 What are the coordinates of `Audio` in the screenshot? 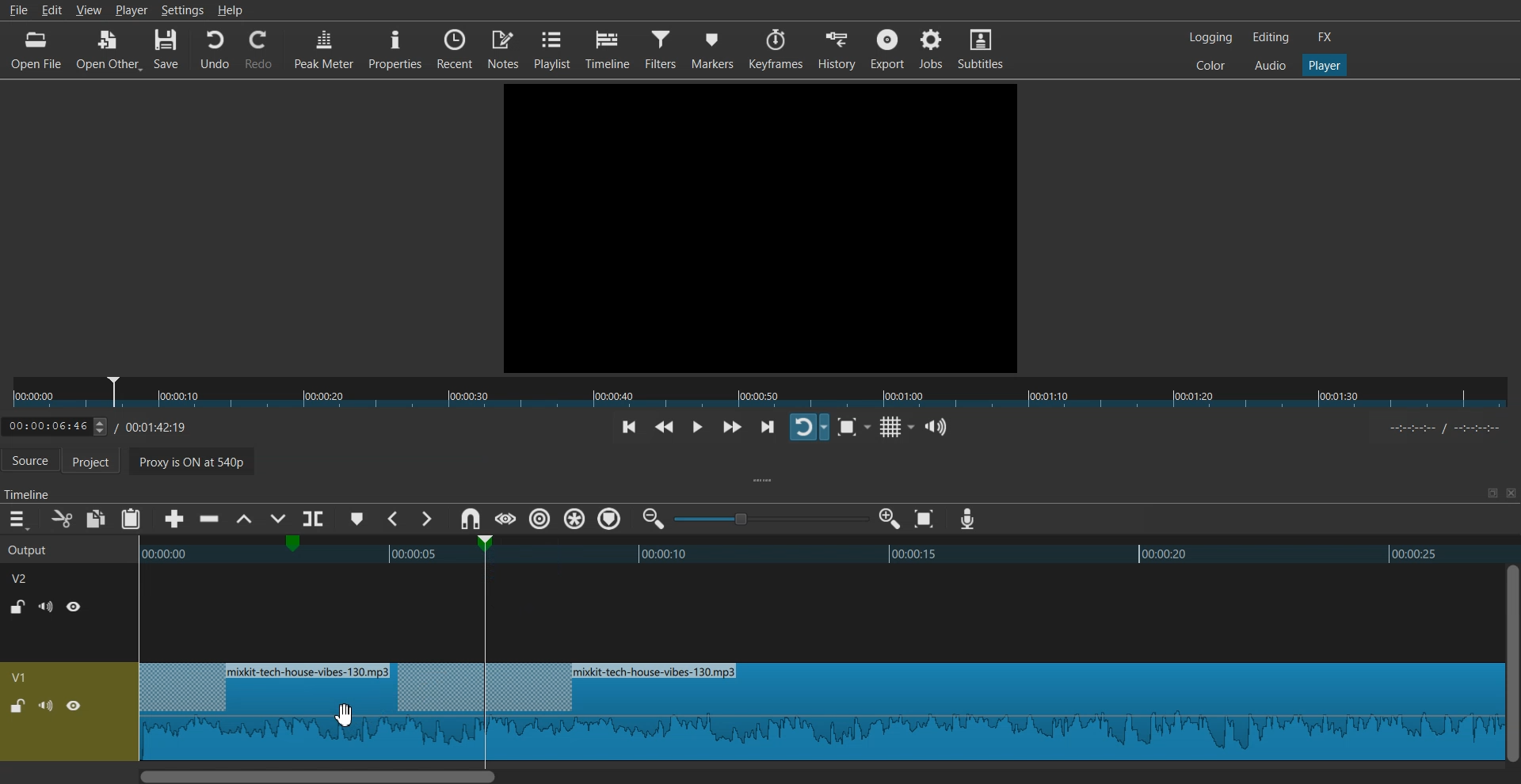 It's located at (1270, 64).